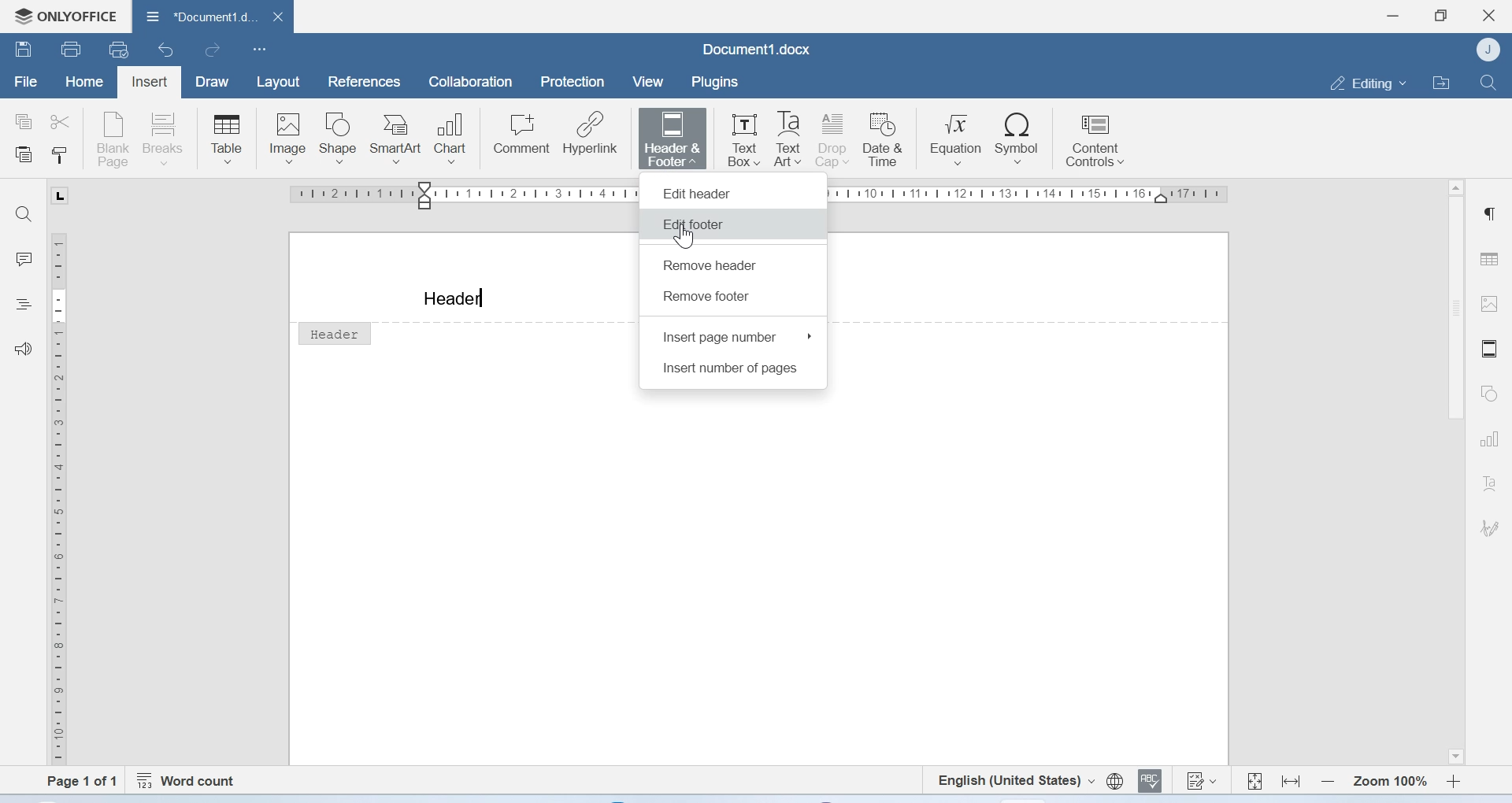 This screenshot has height=803, width=1512. What do you see at coordinates (213, 18) in the screenshot?
I see `Document1.docx` at bounding box center [213, 18].